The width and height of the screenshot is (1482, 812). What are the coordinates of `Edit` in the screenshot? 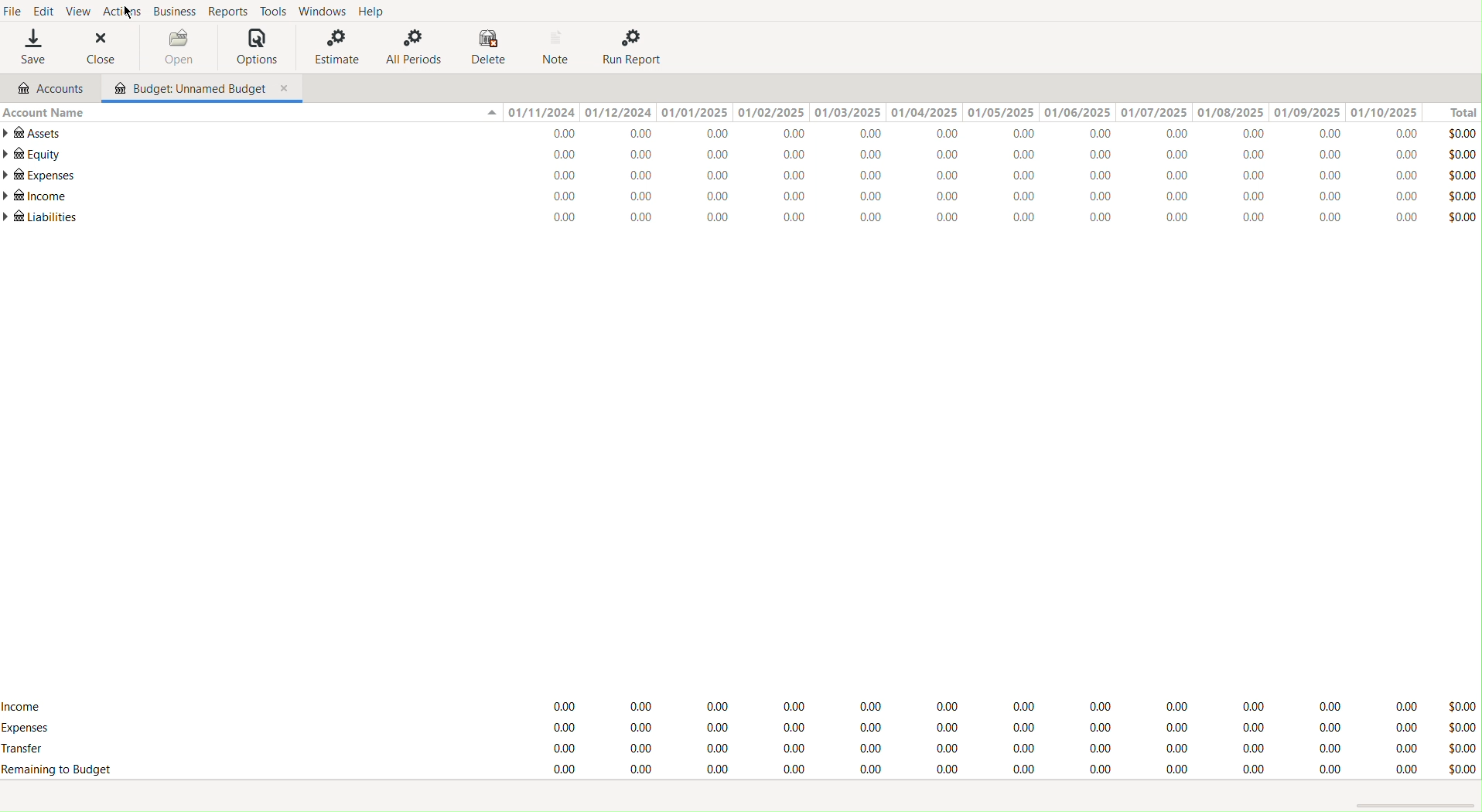 It's located at (42, 12).